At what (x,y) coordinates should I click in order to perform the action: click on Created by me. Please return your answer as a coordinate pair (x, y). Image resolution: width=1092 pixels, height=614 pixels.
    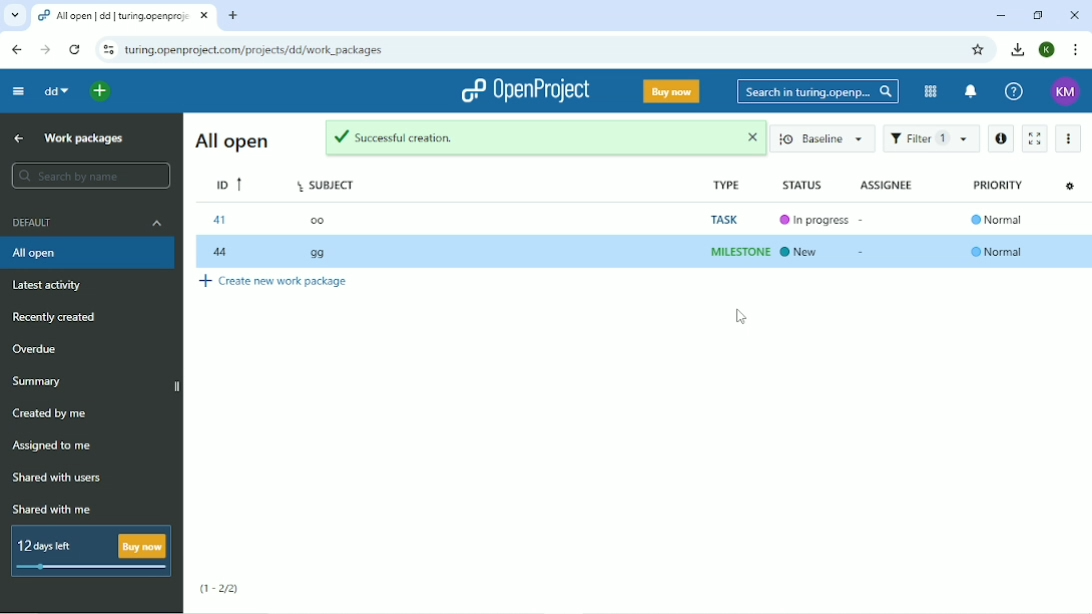
    Looking at the image, I should click on (51, 414).